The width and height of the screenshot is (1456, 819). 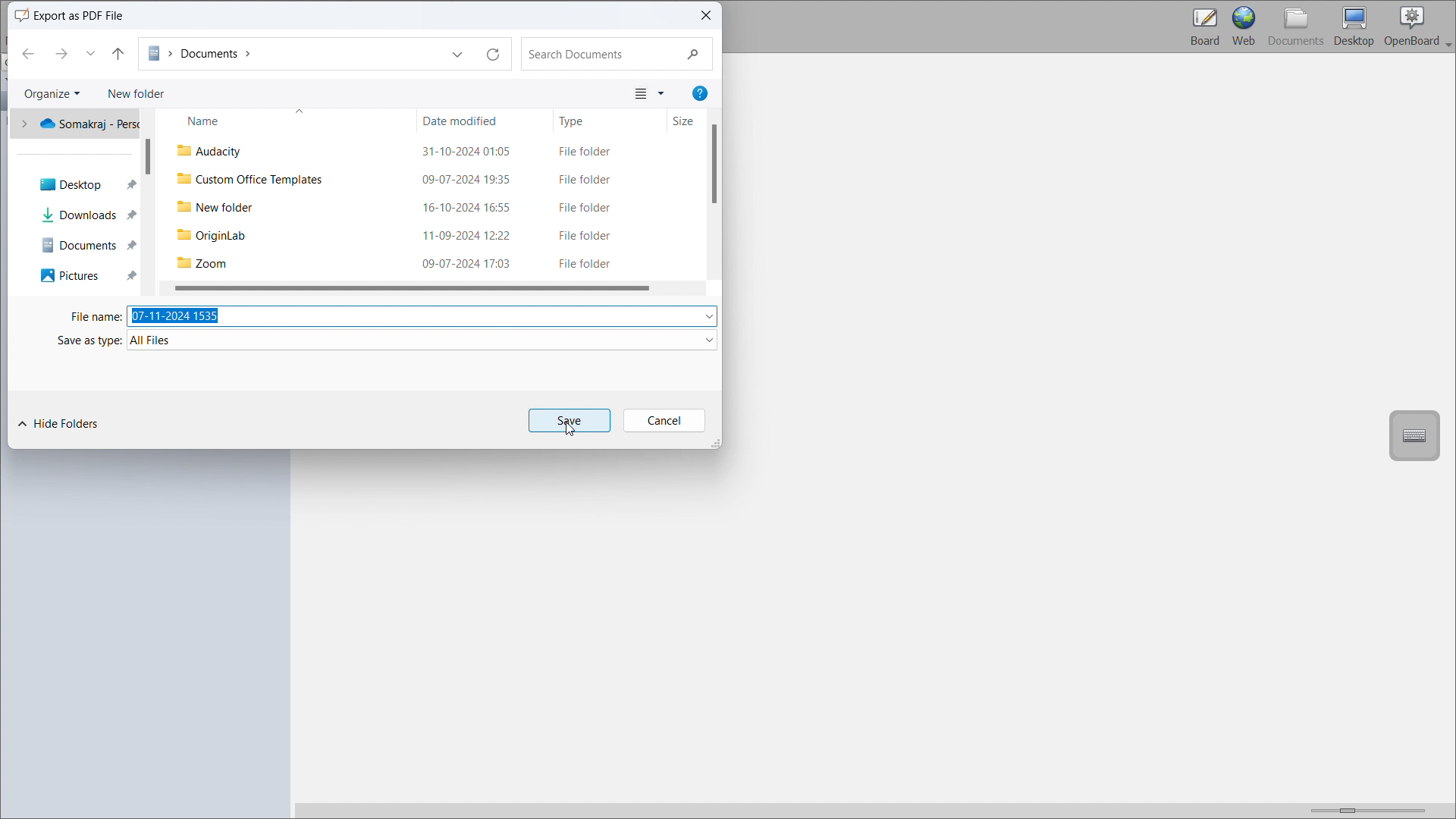 What do you see at coordinates (413, 285) in the screenshot?
I see `horizontal scrollbar` at bounding box center [413, 285].